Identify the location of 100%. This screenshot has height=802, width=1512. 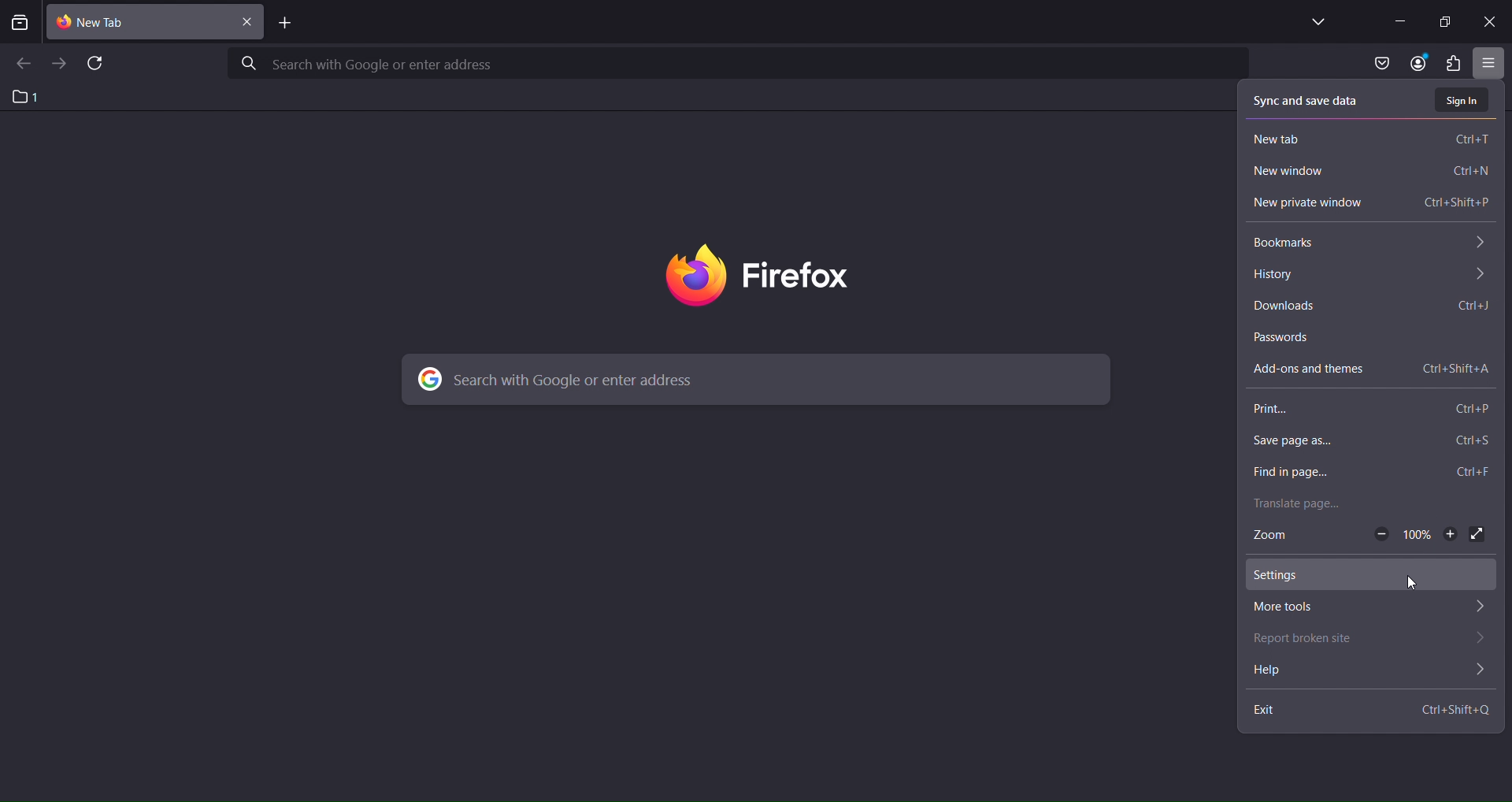
(1417, 532).